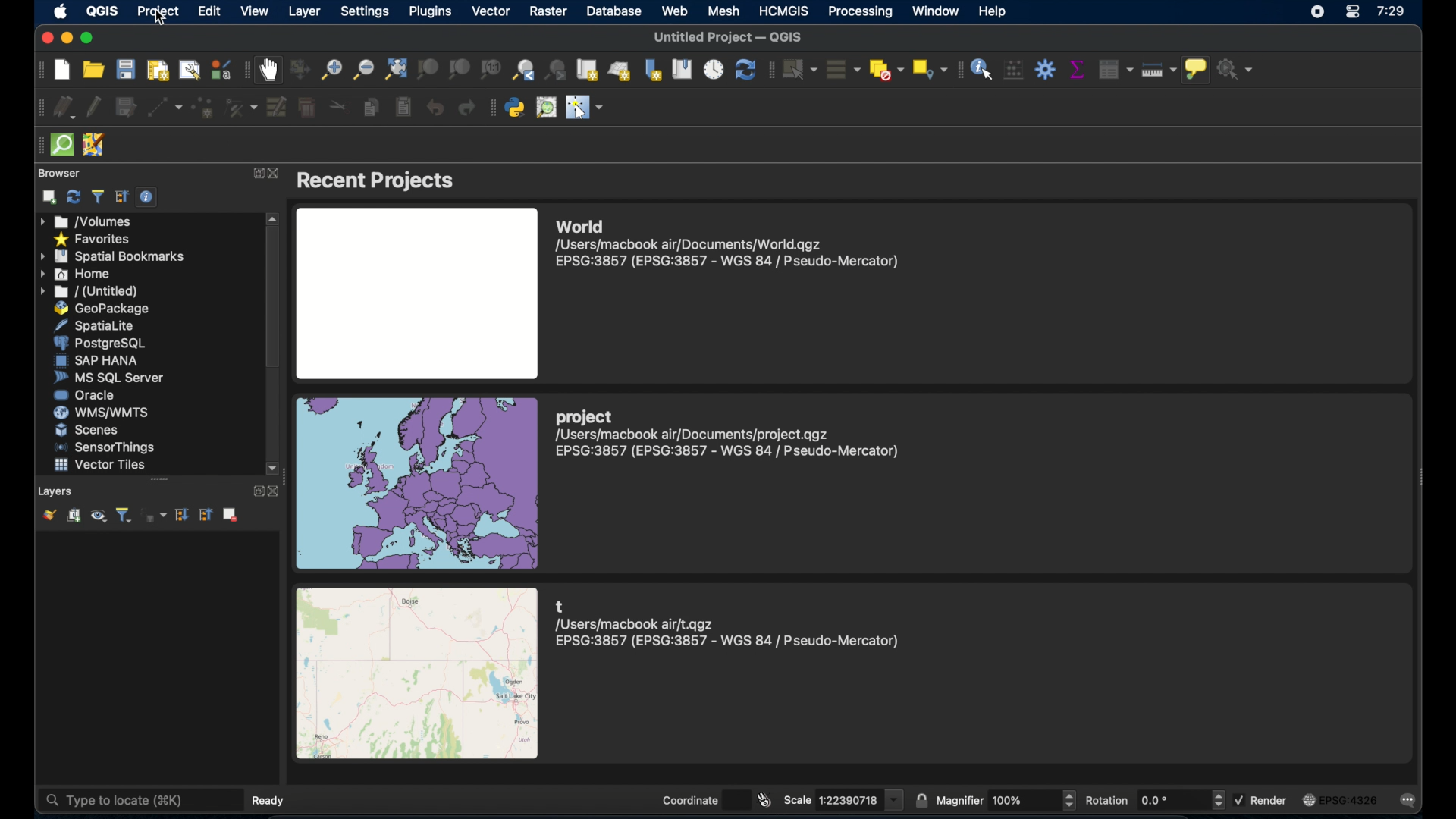 This screenshot has height=819, width=1456. What do you see at coordinates (105, 309) in the screenshot?
I see `geopackage` at bounding box center [105, 309].